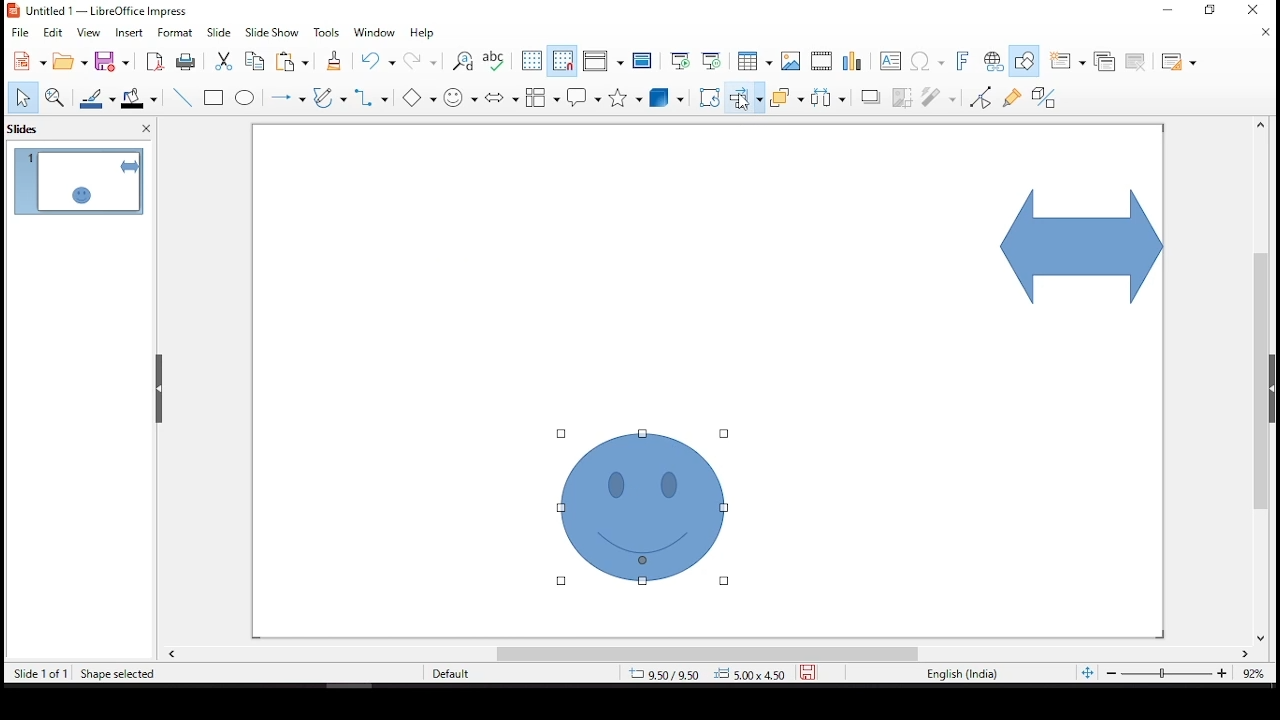 This screenshot has height=720, width=1280. Describe the element at coordinates (98, 9) in the screenshot. I see `Bl Untitled 1 — LibreOffice Impress` at that location.